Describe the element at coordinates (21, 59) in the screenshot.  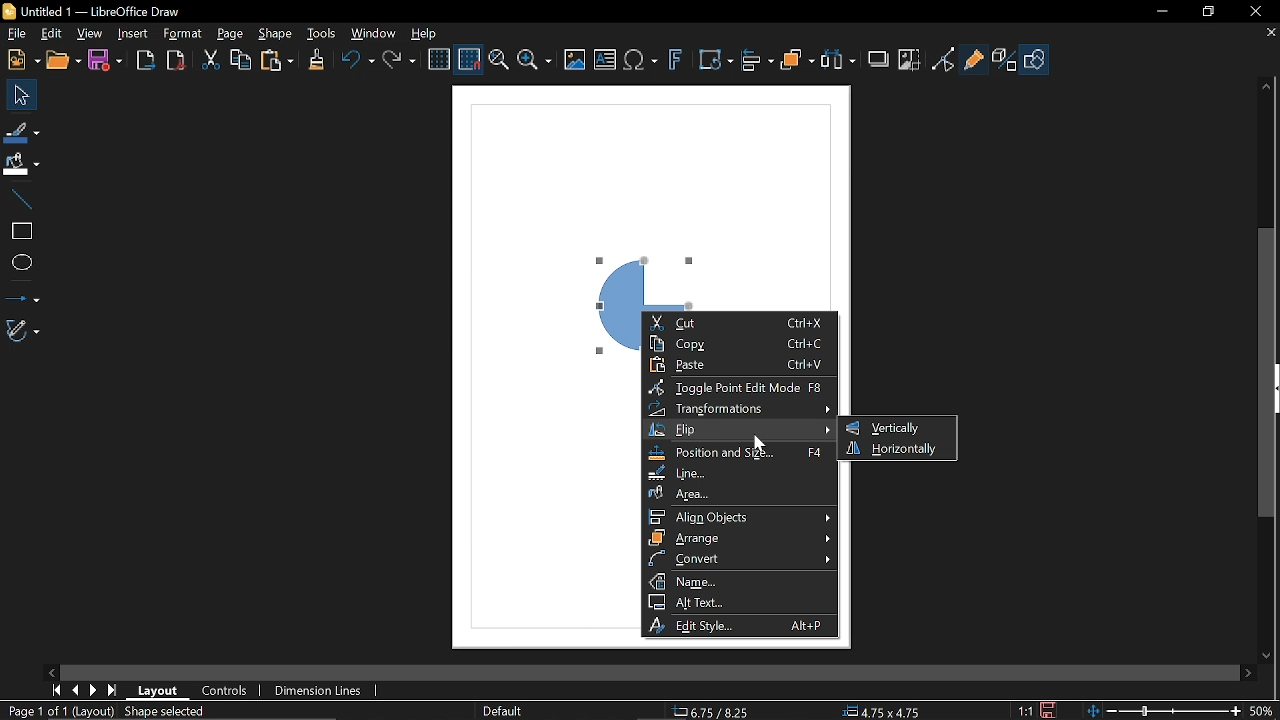
I see `New` at that location.